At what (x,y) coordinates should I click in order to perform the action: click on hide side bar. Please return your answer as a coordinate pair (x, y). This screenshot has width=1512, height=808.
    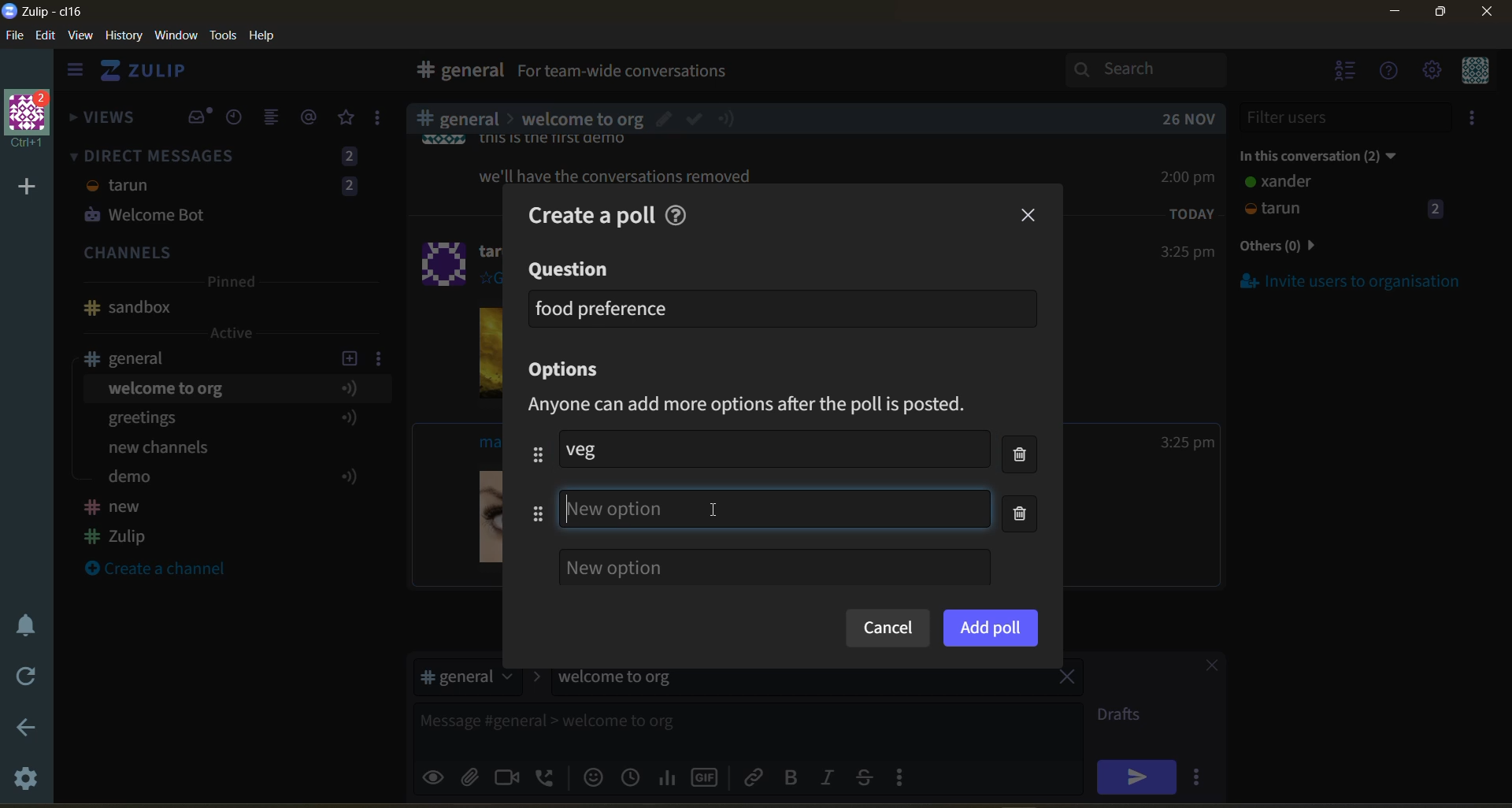
    Looking at the image, I should click on (75, 73).